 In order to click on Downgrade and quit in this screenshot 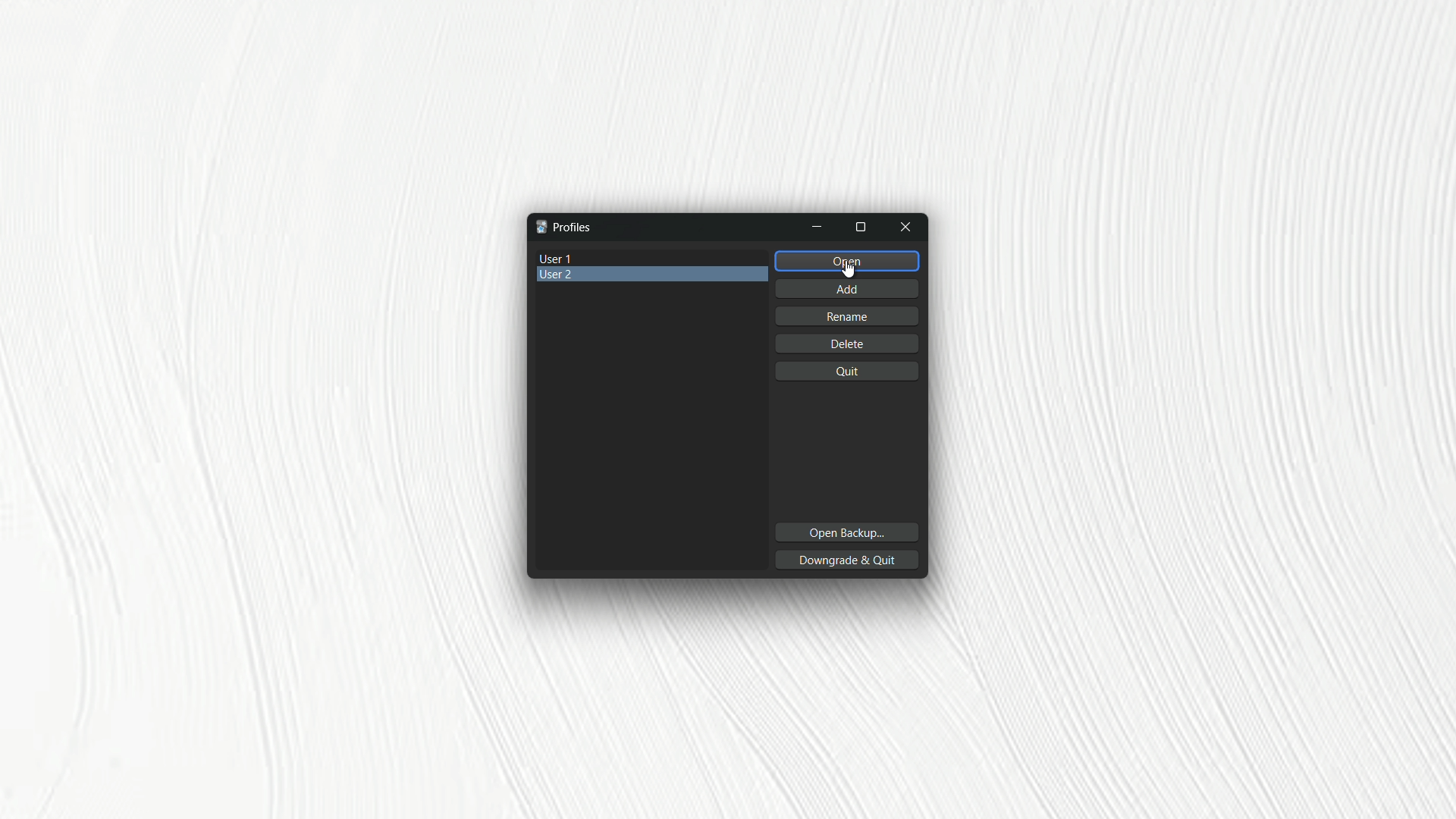, I will do `click(849, 559)`.